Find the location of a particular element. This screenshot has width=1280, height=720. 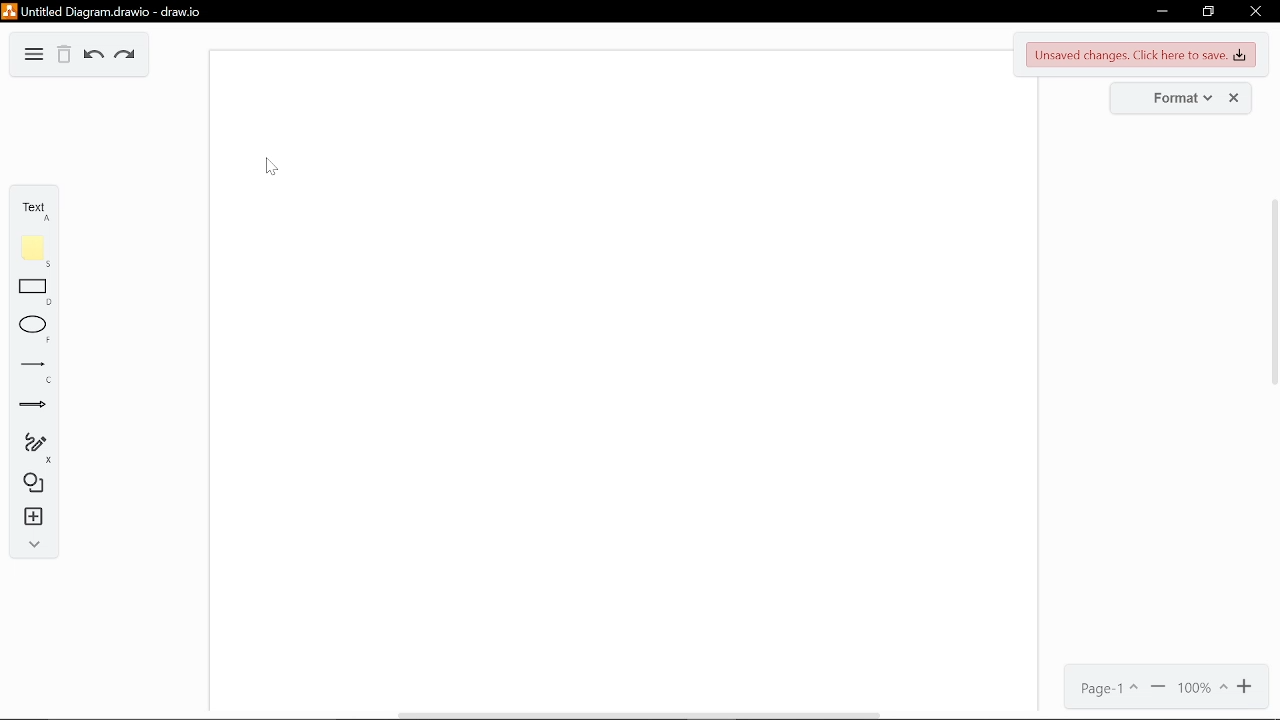

delete is located at coordinates (65, 56).